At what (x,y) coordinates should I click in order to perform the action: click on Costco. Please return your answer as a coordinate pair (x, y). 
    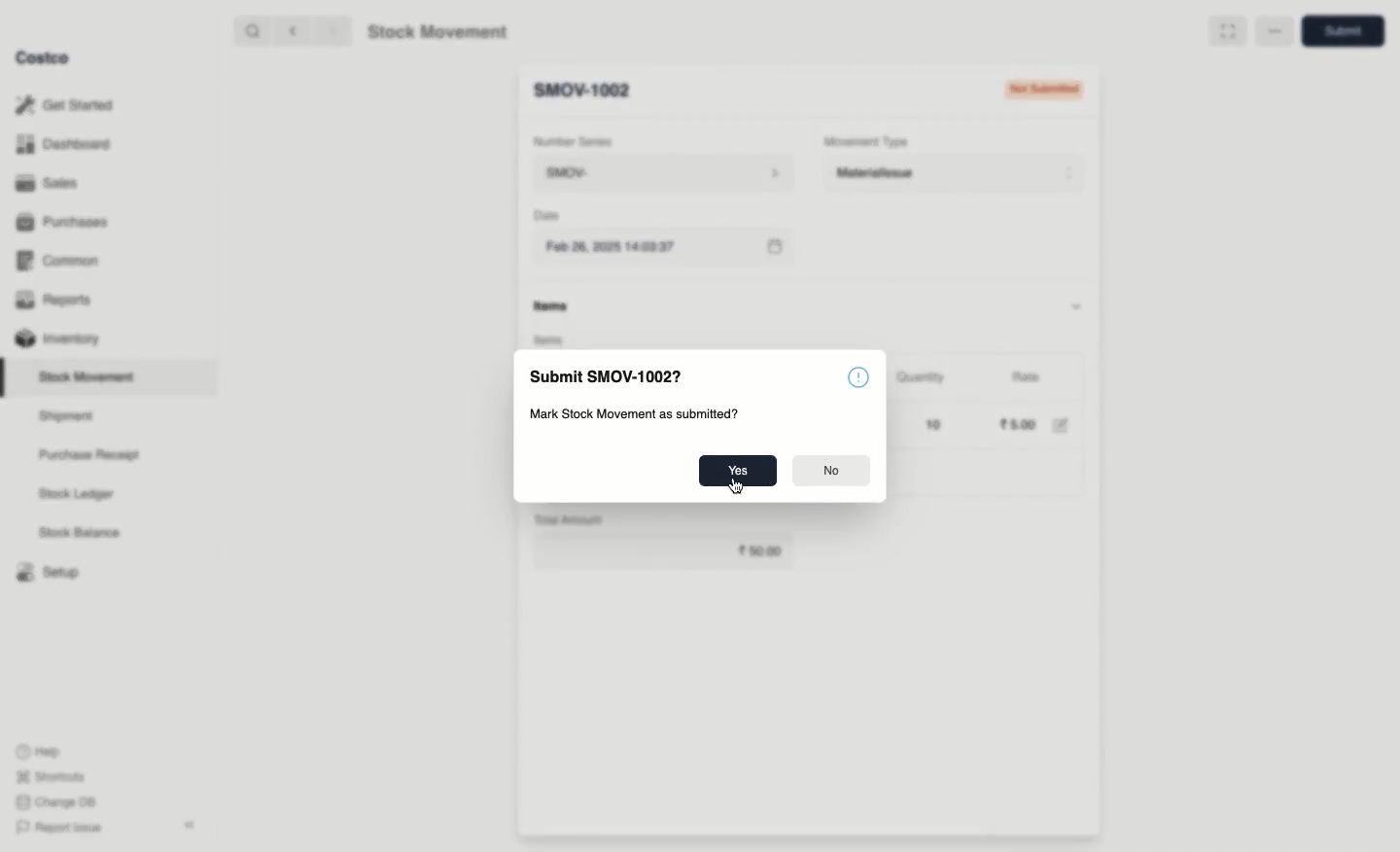
    Looking at the image, I should click on (44, 58).